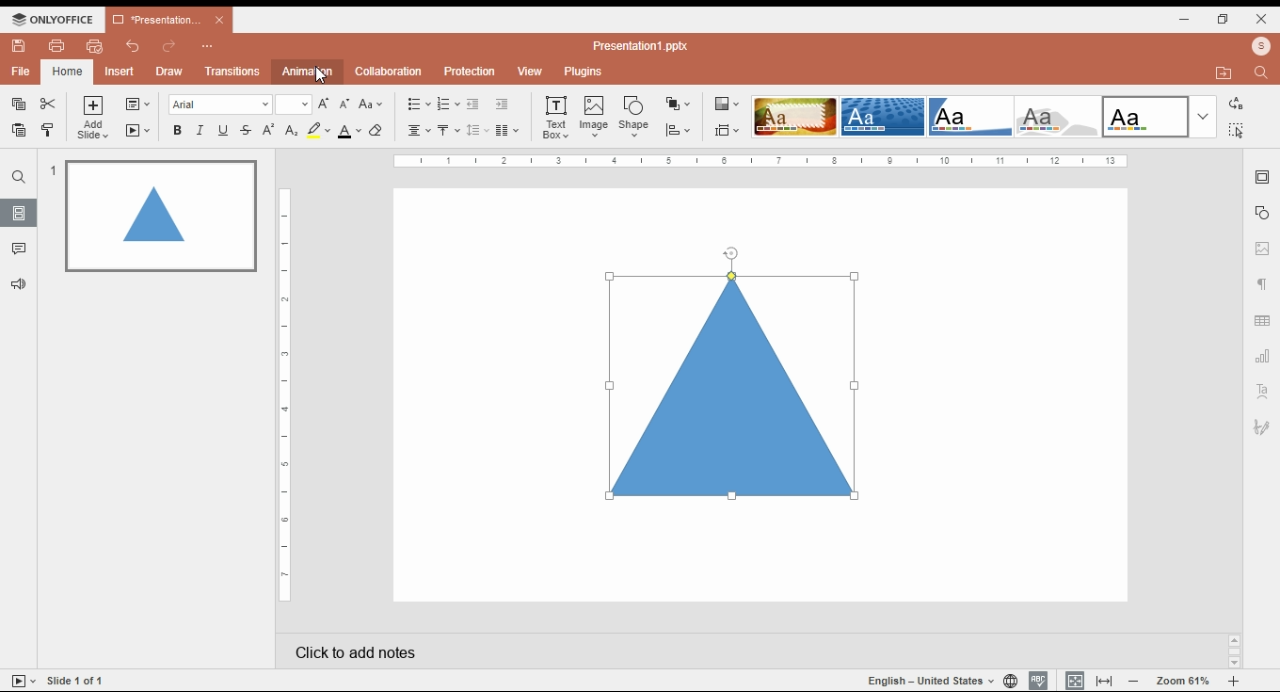  What do you see at coordinates (447, 104) in the screenshot?
I see `numbering` at bounding box center [447, 104].